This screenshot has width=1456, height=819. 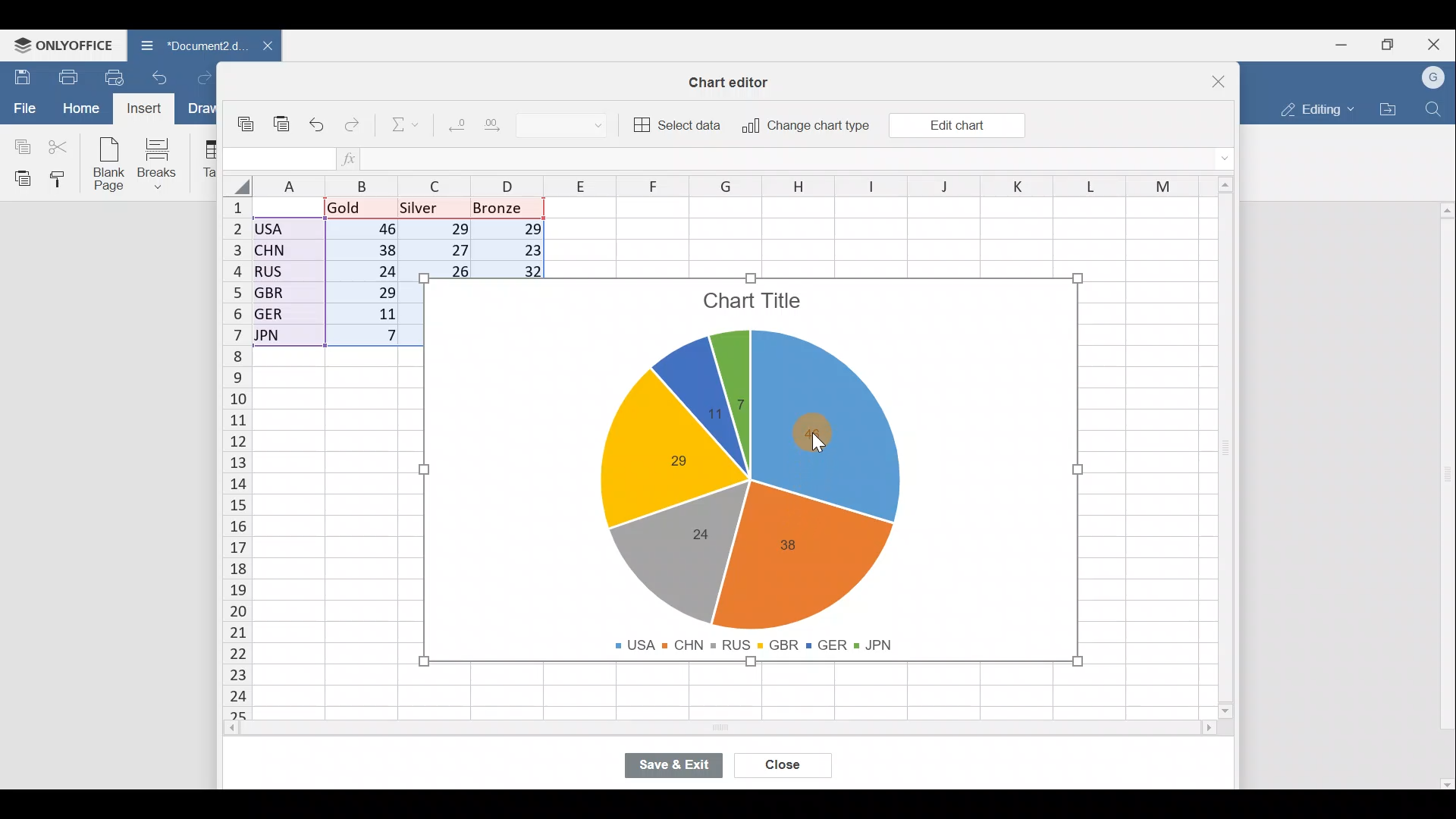 I want to click on Select data, so click(x=676, y=123).